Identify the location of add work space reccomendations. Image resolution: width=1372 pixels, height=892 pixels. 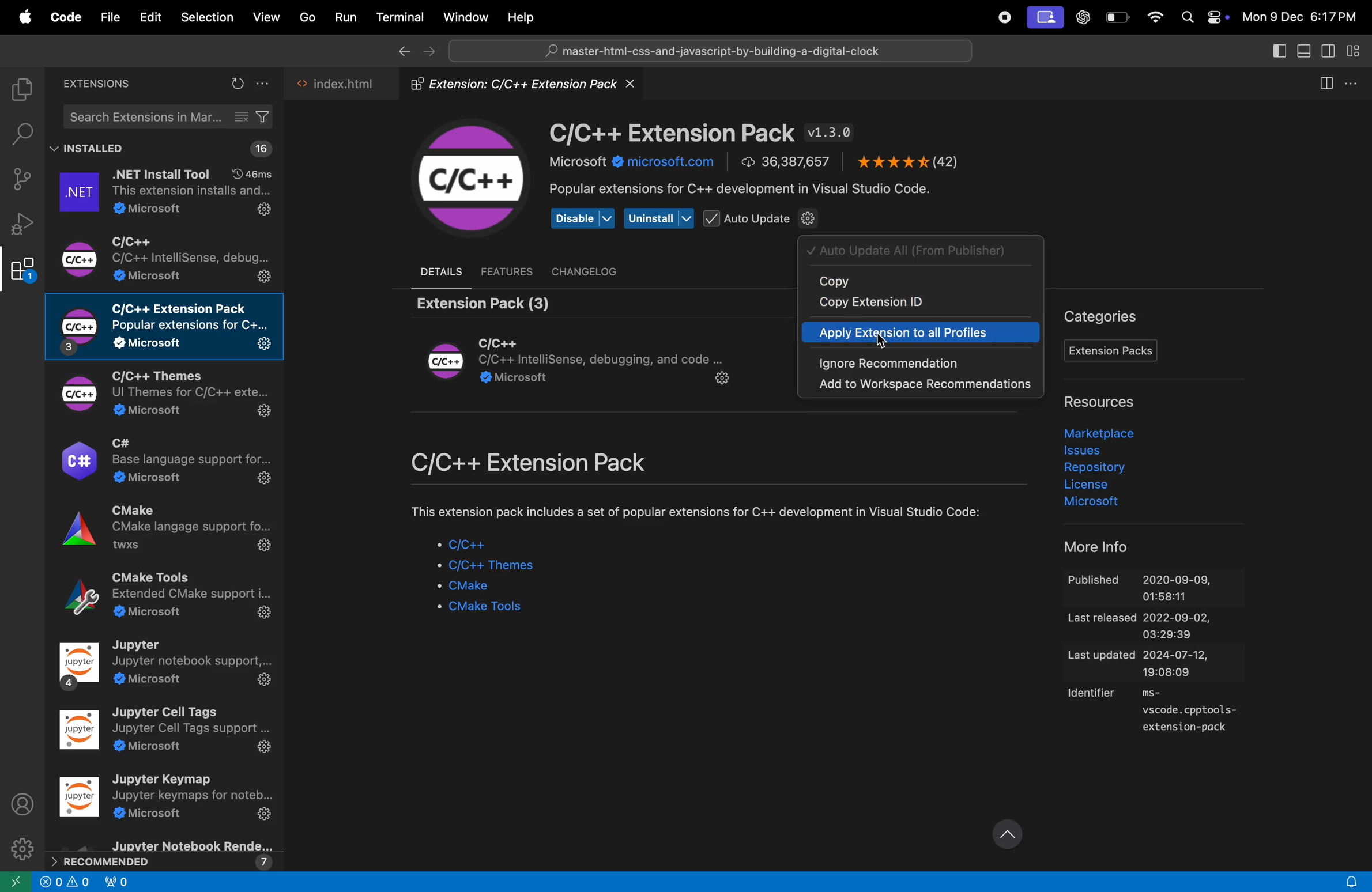
(926, 388).